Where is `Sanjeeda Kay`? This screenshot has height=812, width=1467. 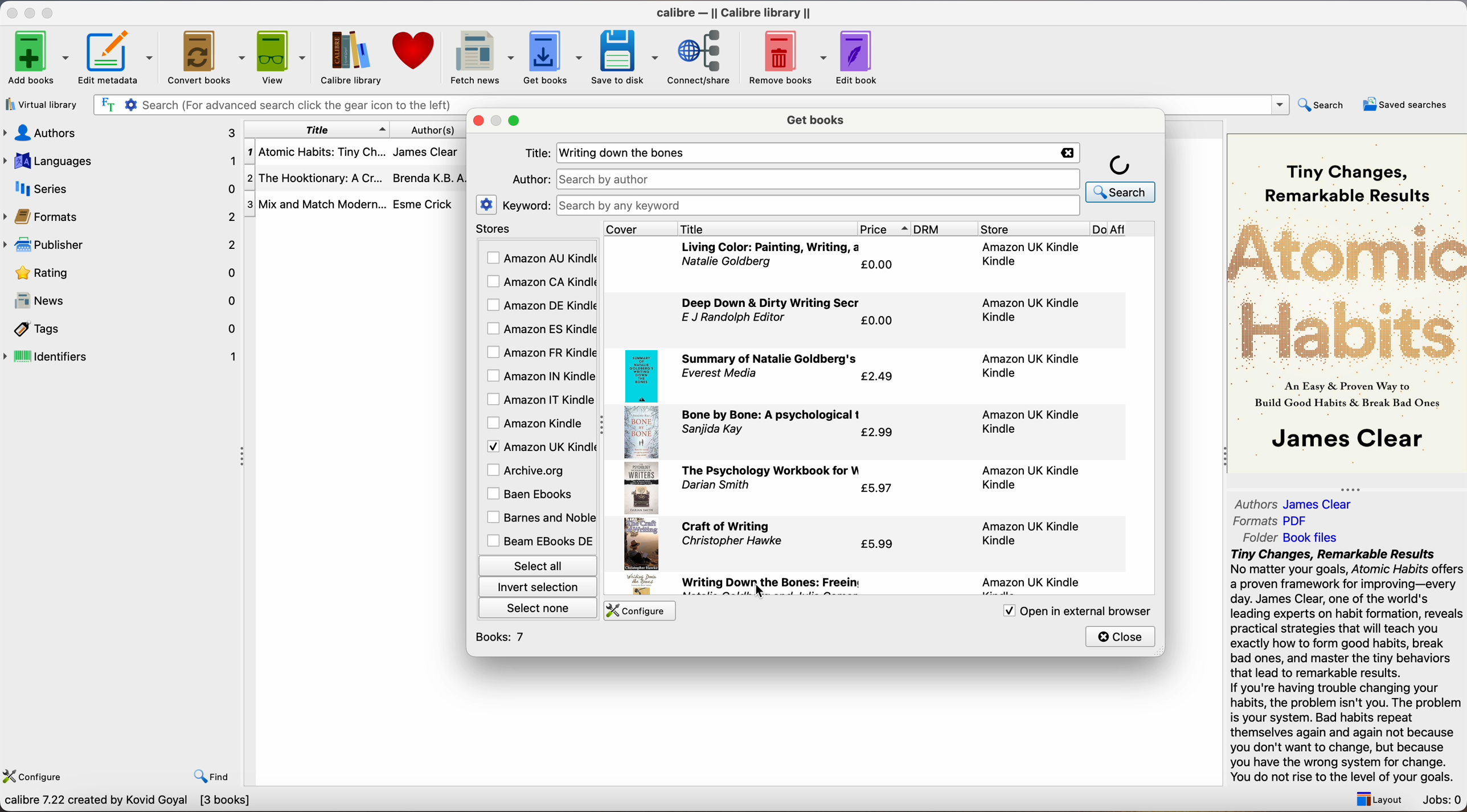 Sanjeeda Kay is located at coordinates (714, 430).